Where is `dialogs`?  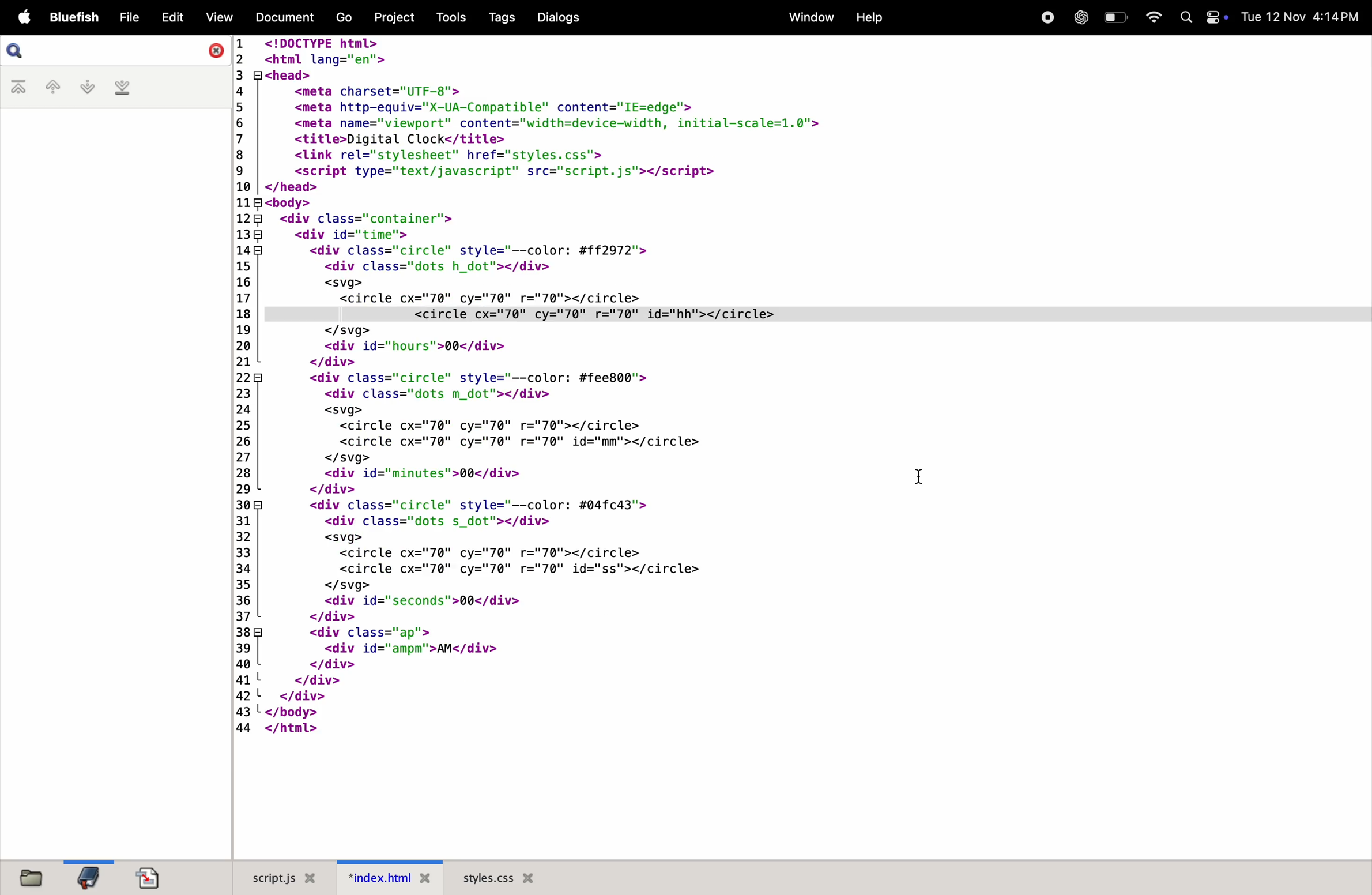 dialogs is located at coordinates (559, 18).